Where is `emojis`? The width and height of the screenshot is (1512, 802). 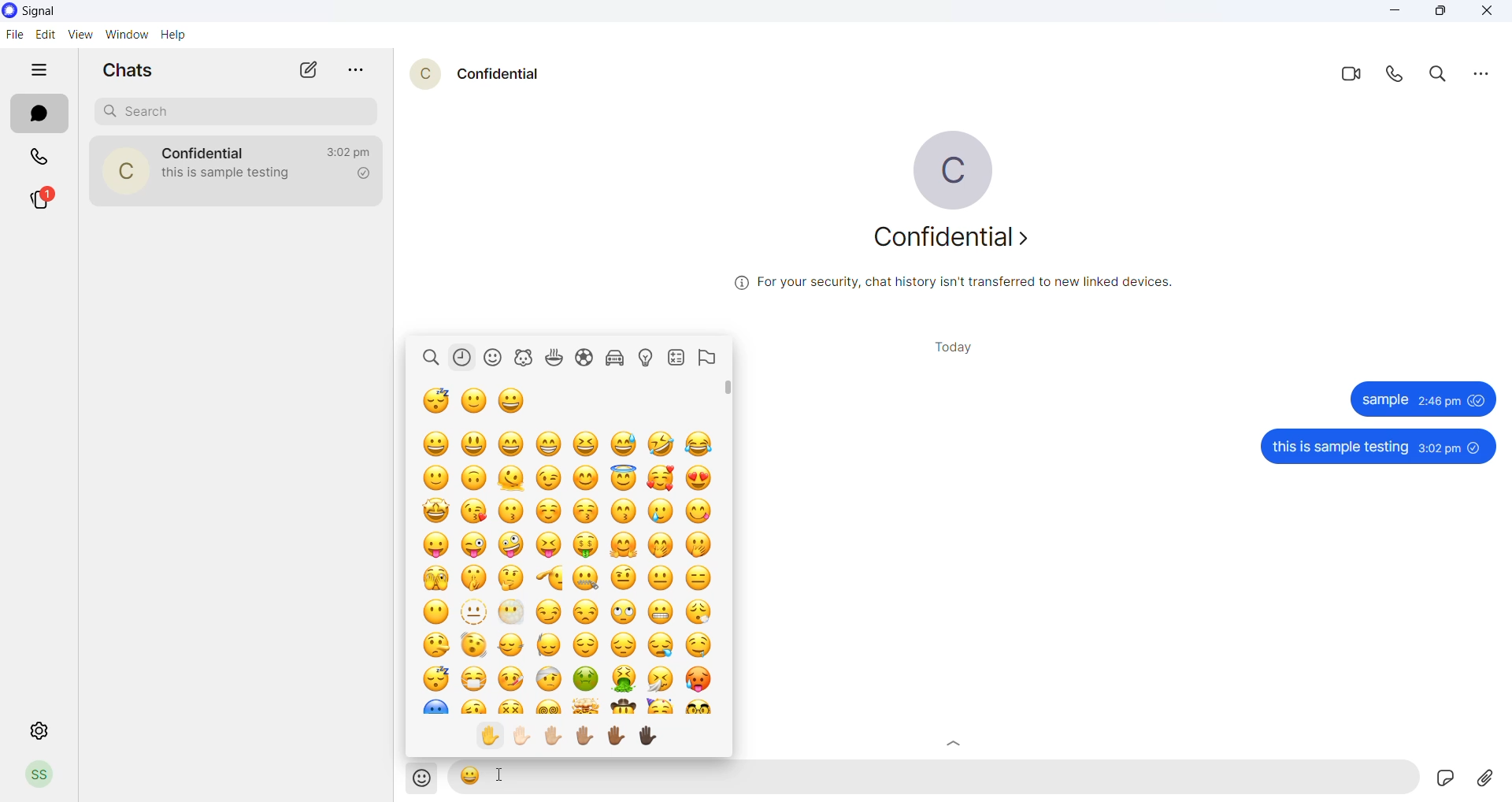 emojis is located at coordinates (418, 779).